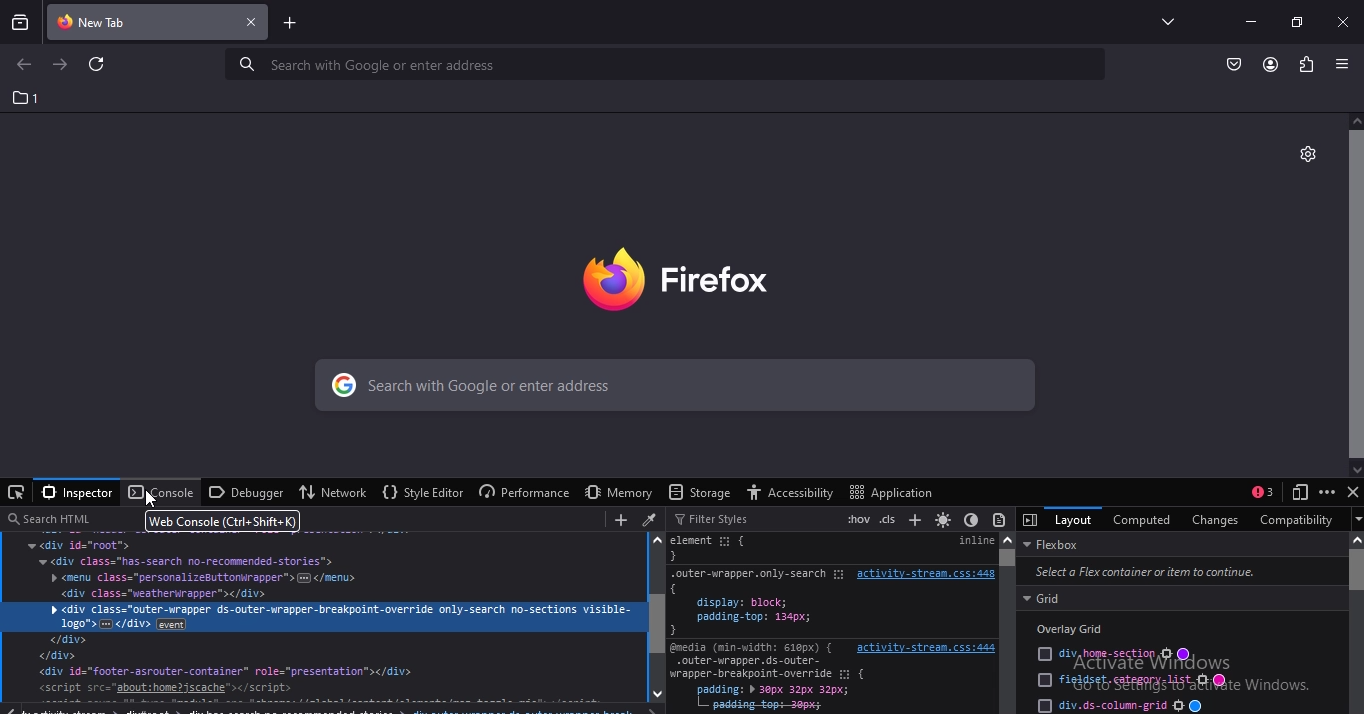 The width and height of the screenshot is (1364, 714). Describe the element at coordinates (1296, 21) in the screenshot. I see `restore tab` at that location.